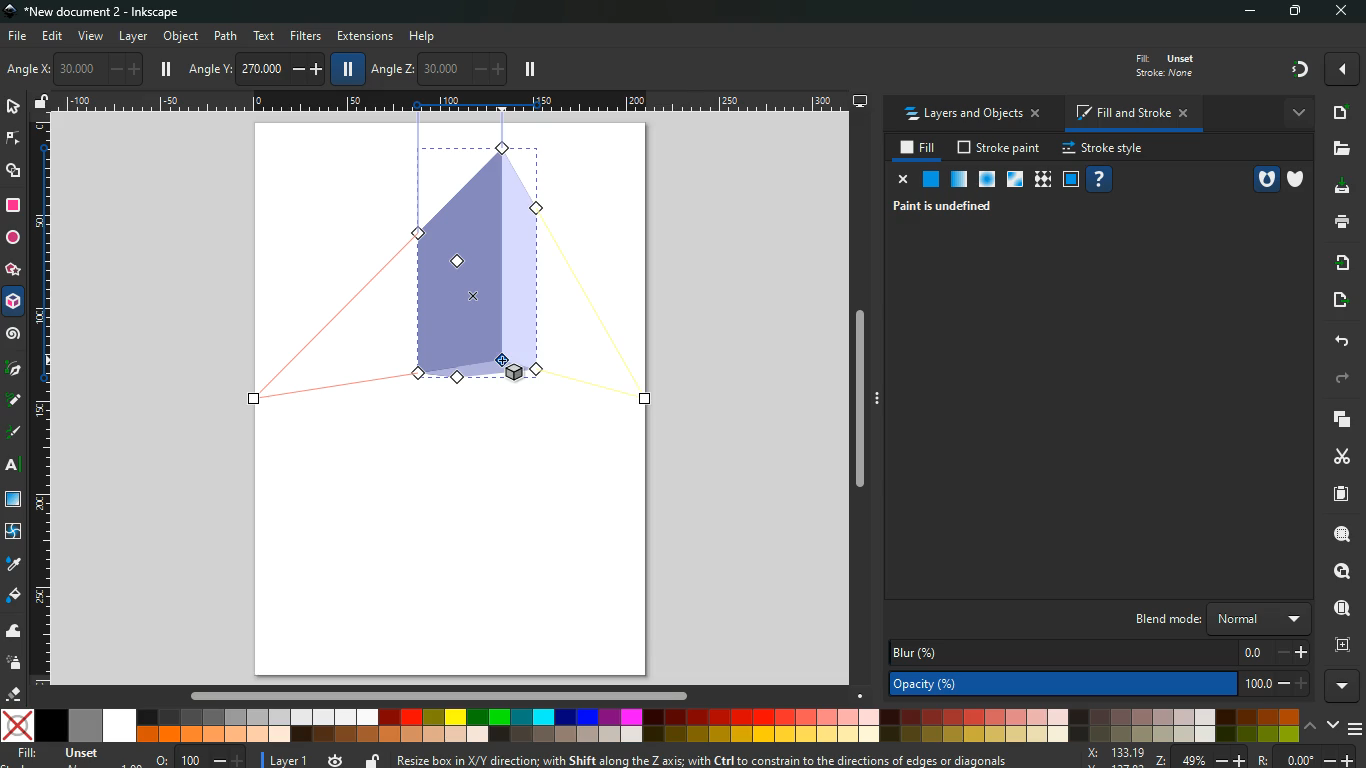 The height and width of the screenshot is (768, 1366). I want to click on normal, so click(929, 179).